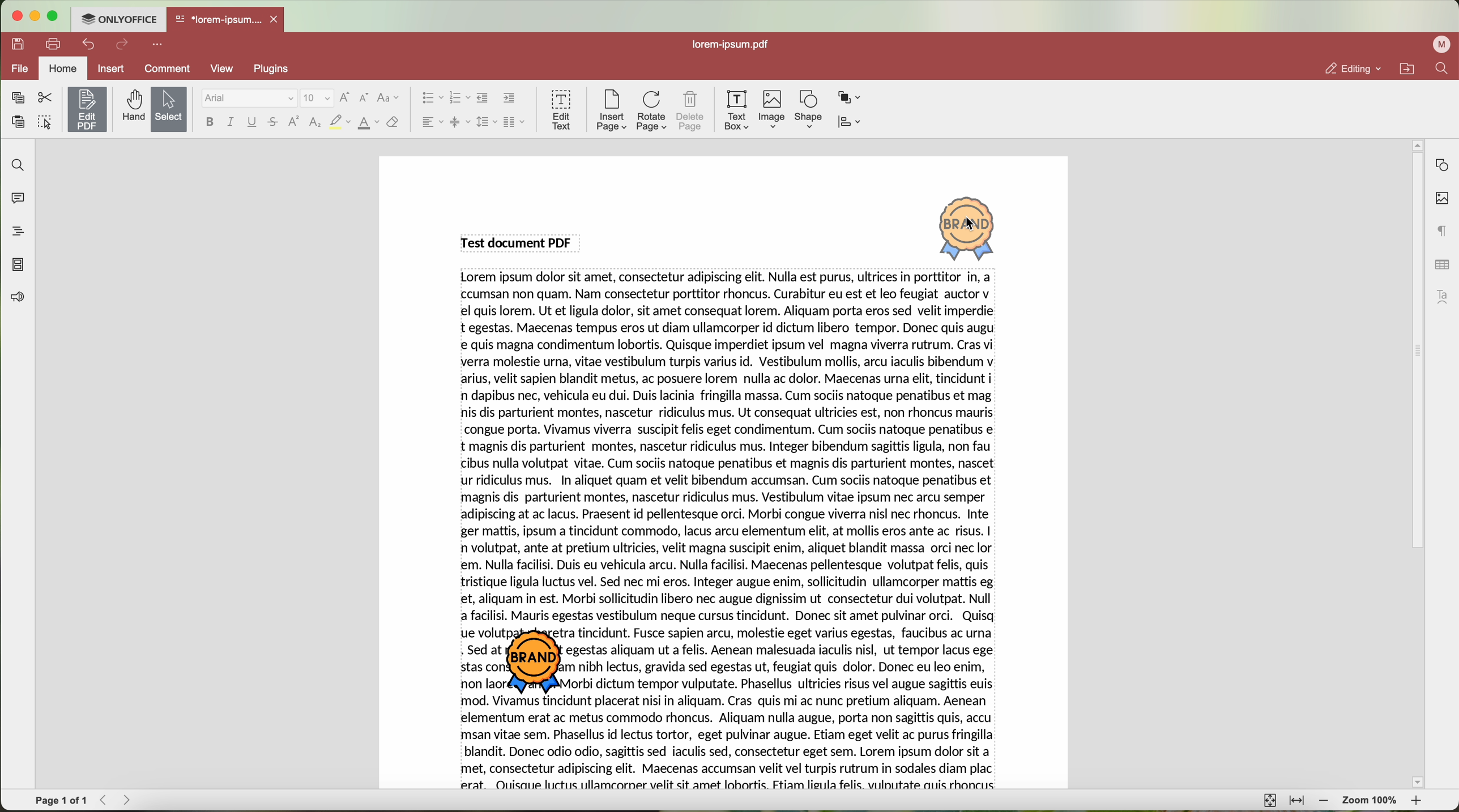  What do you see at coordinates (1443, 230) in the screenshot?
I see `paragraph settings` at bounding box center [1443, 230].